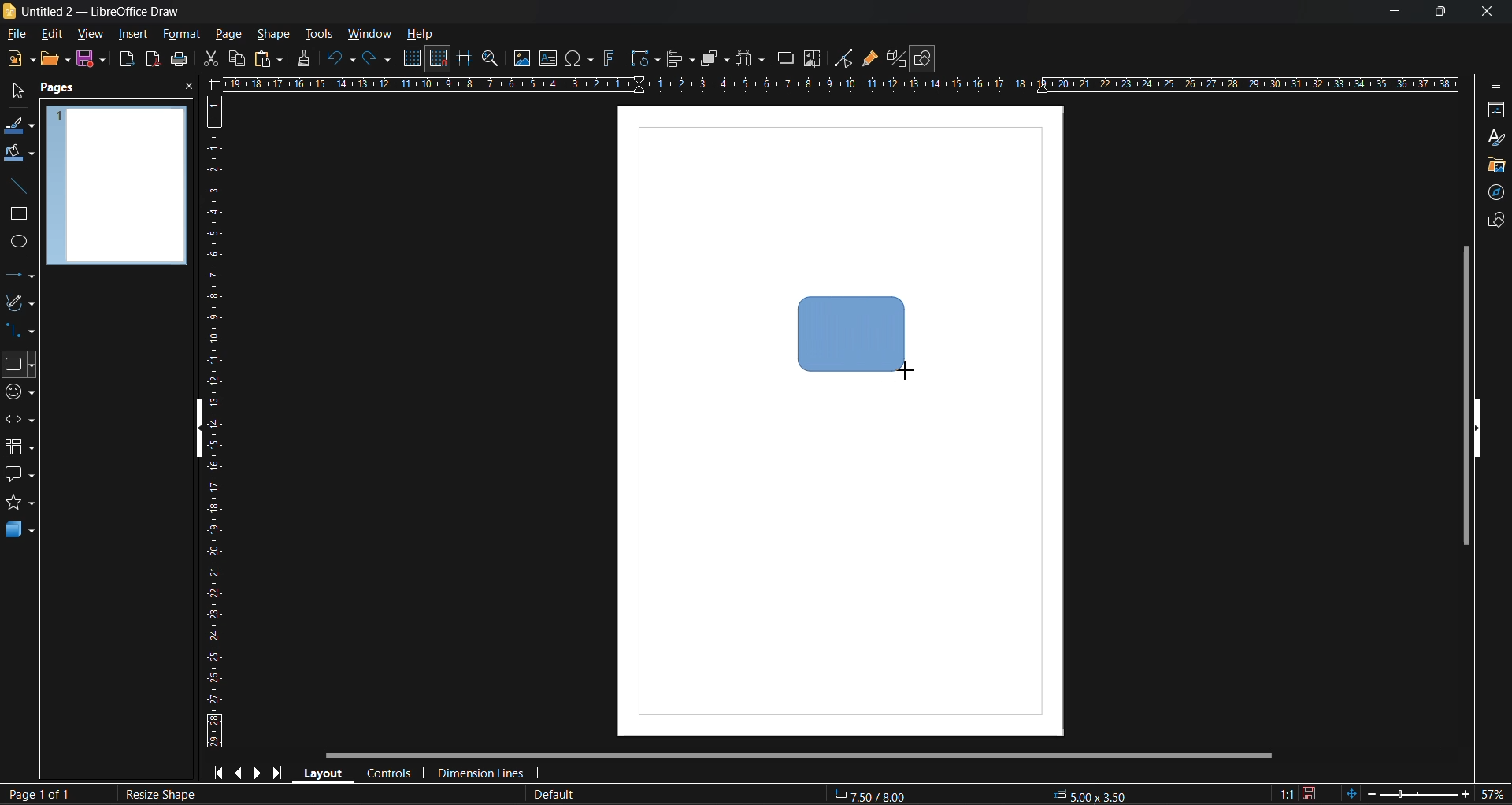 The height and width of the screenshot is (805, 1512). What do you see at coordinates (229, 33) in the screenshot?
I see `page` at bounding box center [229, 33].